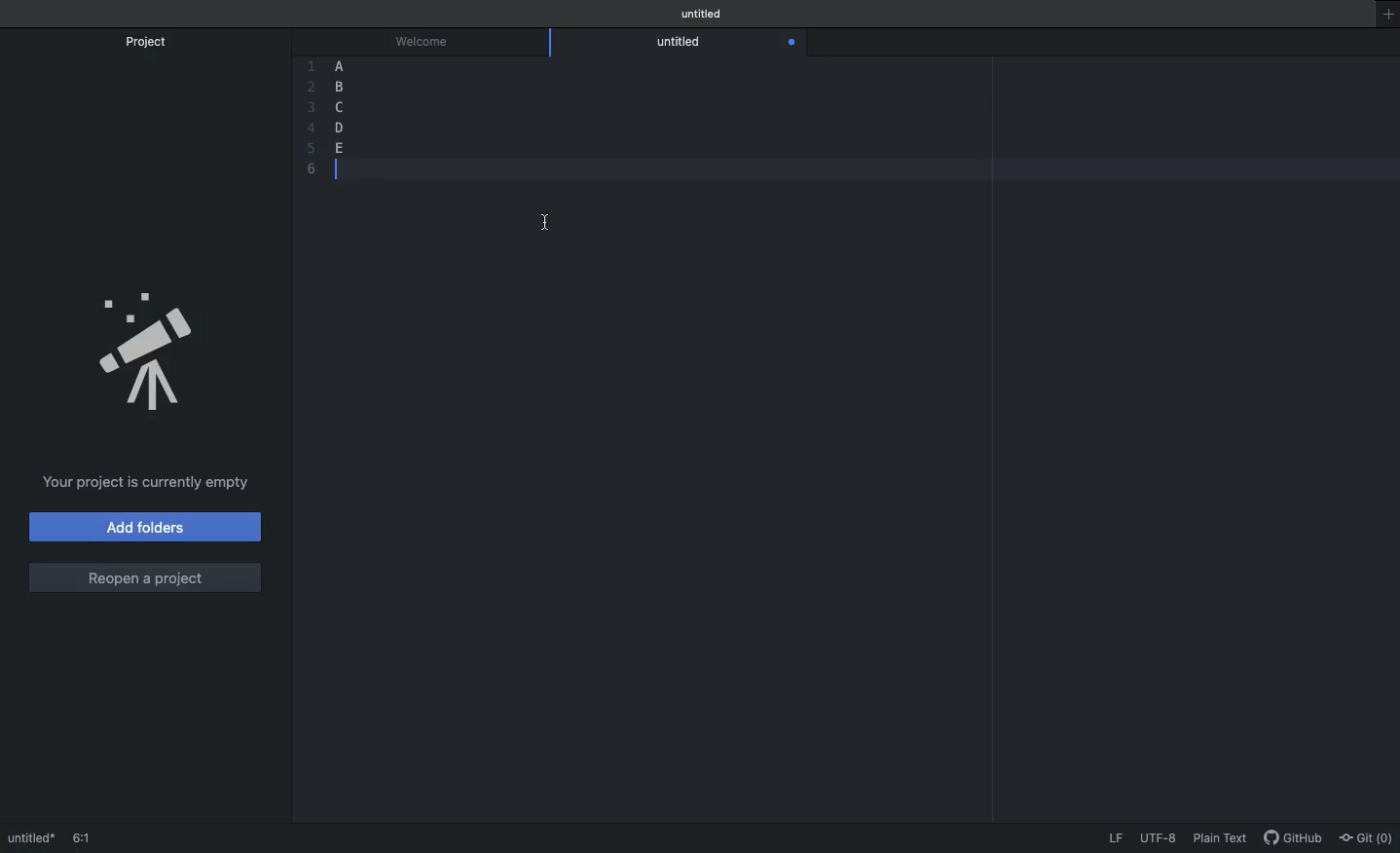  What do you see at coordinates (154, 42) in the screenshot?
I see `Project` at bounding box center [154, 42].